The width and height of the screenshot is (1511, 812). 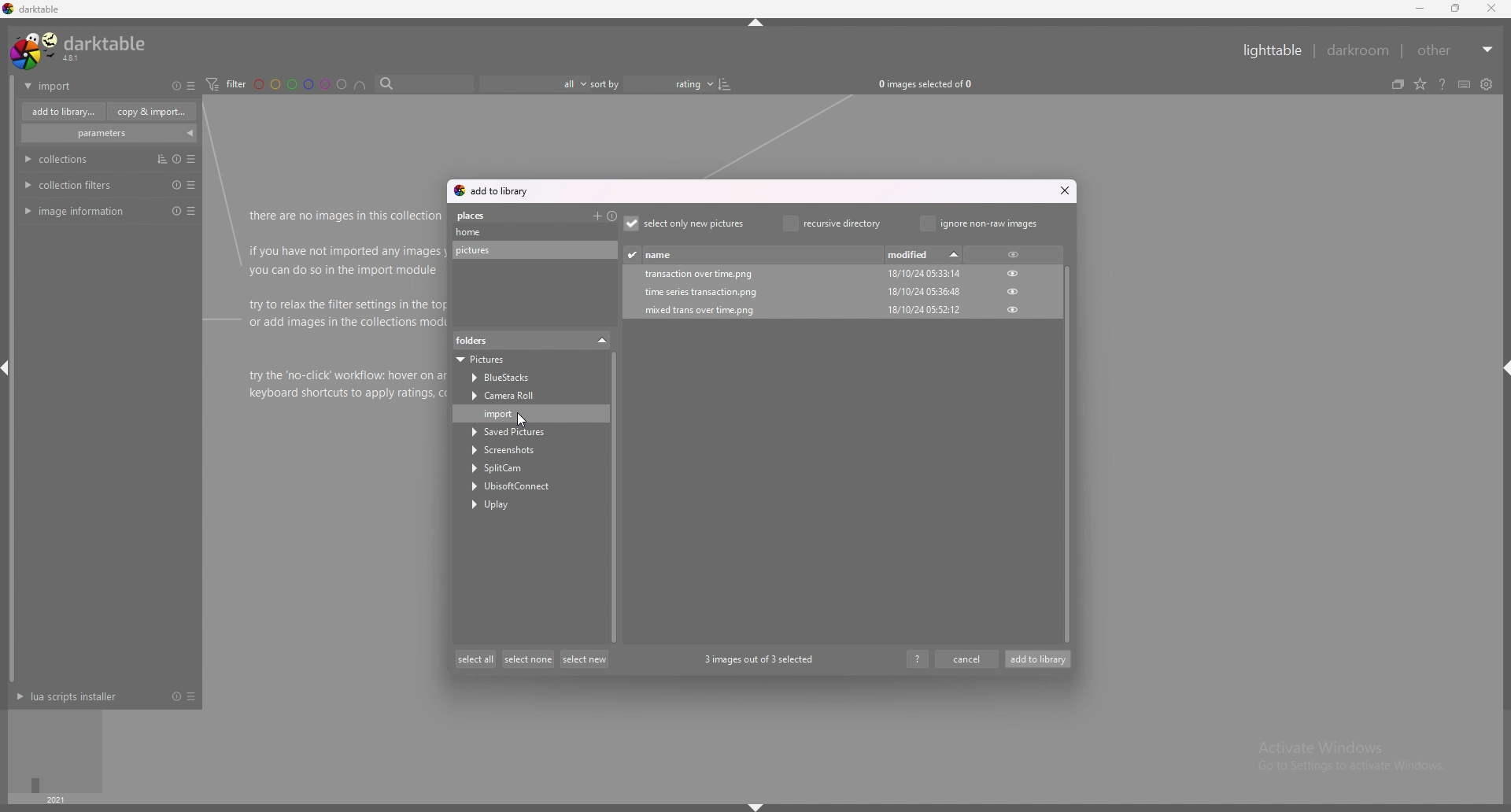 I want to click on collection filters, so click(x=71, y=185).